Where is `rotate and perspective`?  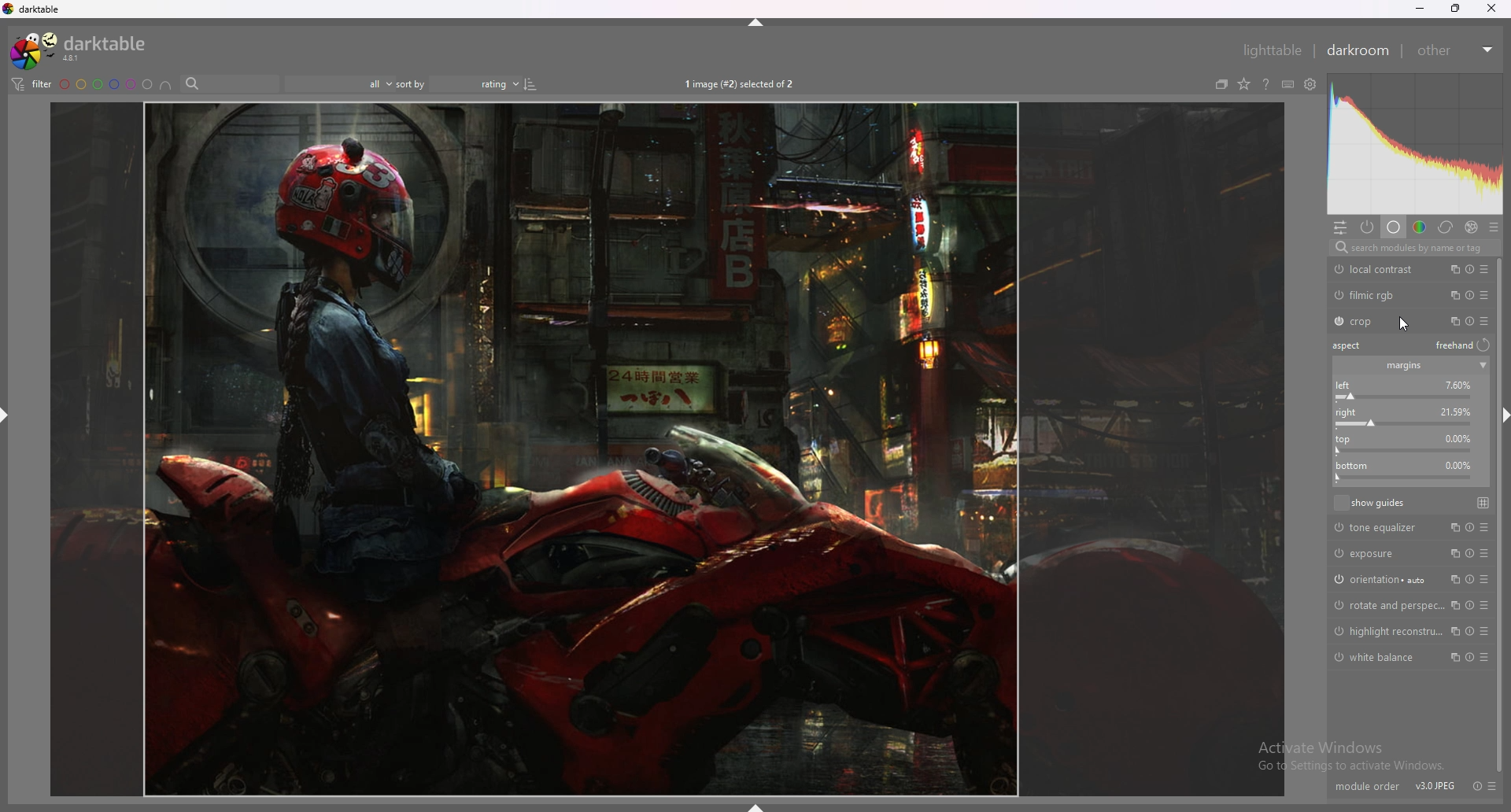
rotate and perspective is located at coordinates (1385, 606).